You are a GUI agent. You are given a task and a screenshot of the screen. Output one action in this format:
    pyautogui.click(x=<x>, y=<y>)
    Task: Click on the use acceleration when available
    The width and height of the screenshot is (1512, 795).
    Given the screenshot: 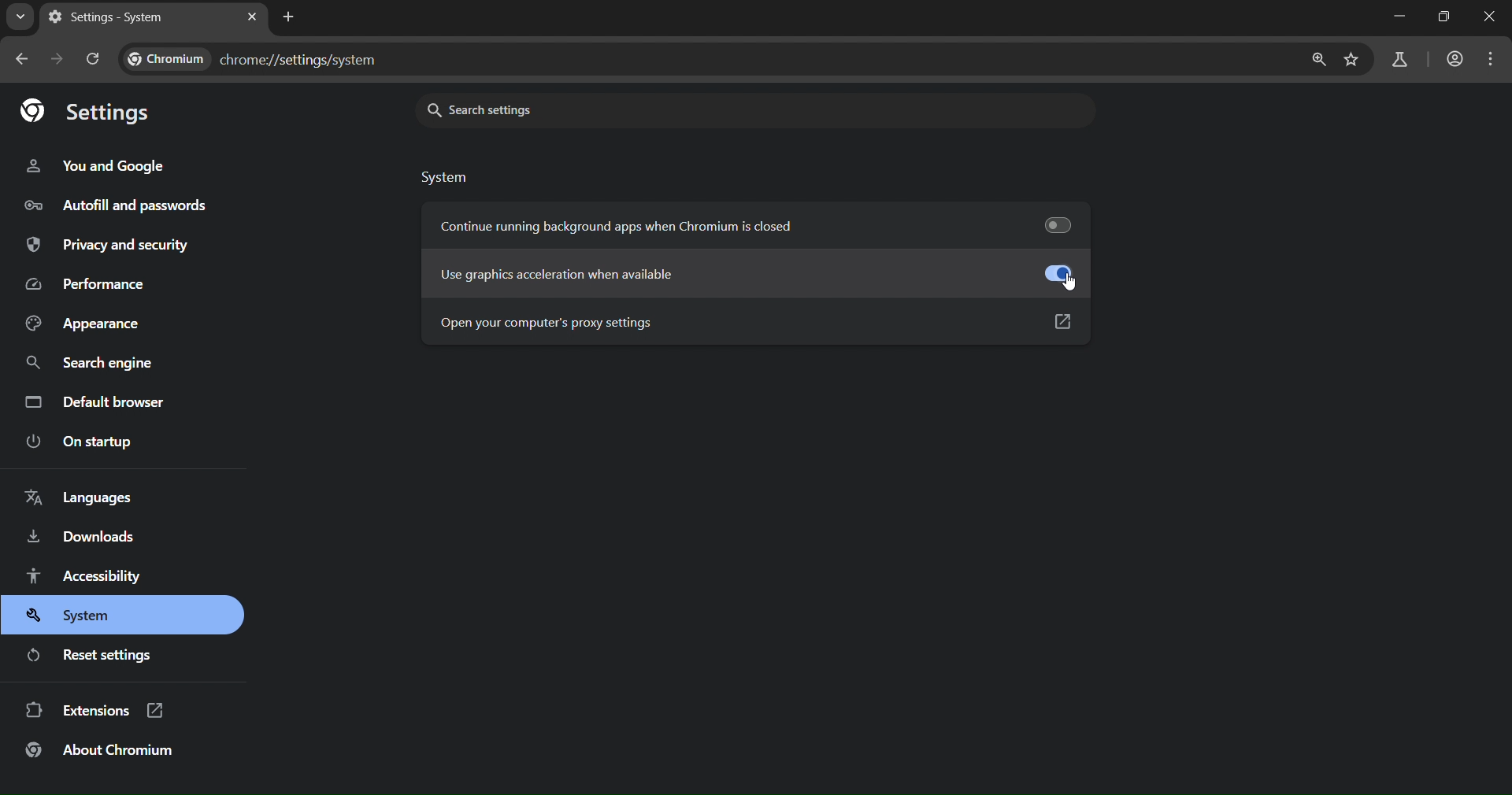 What is the action you would take?
    pyautogui.click(x=569, y=272)
    